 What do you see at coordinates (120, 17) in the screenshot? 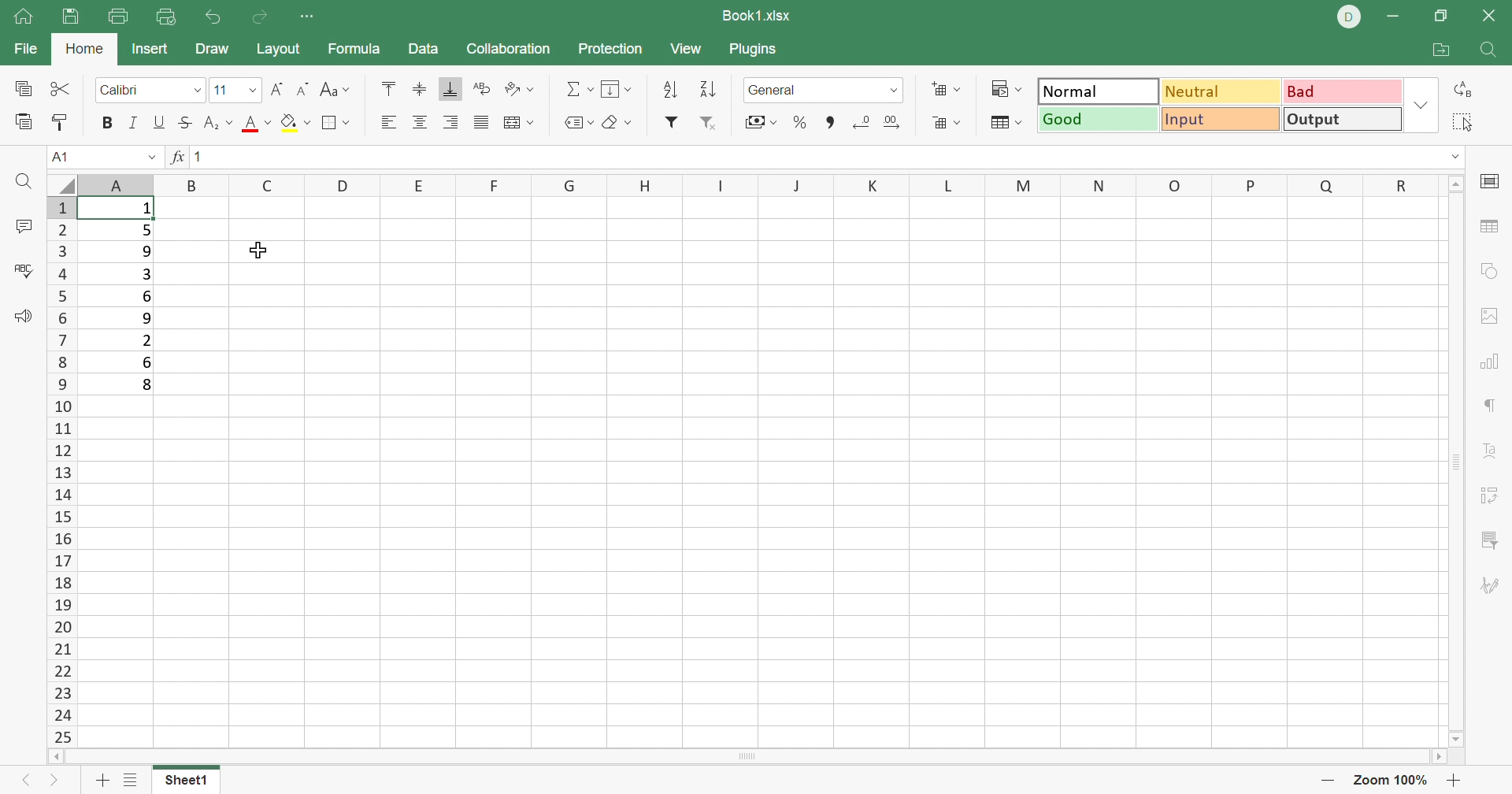
I see `print` at bounding box center [120, 17].